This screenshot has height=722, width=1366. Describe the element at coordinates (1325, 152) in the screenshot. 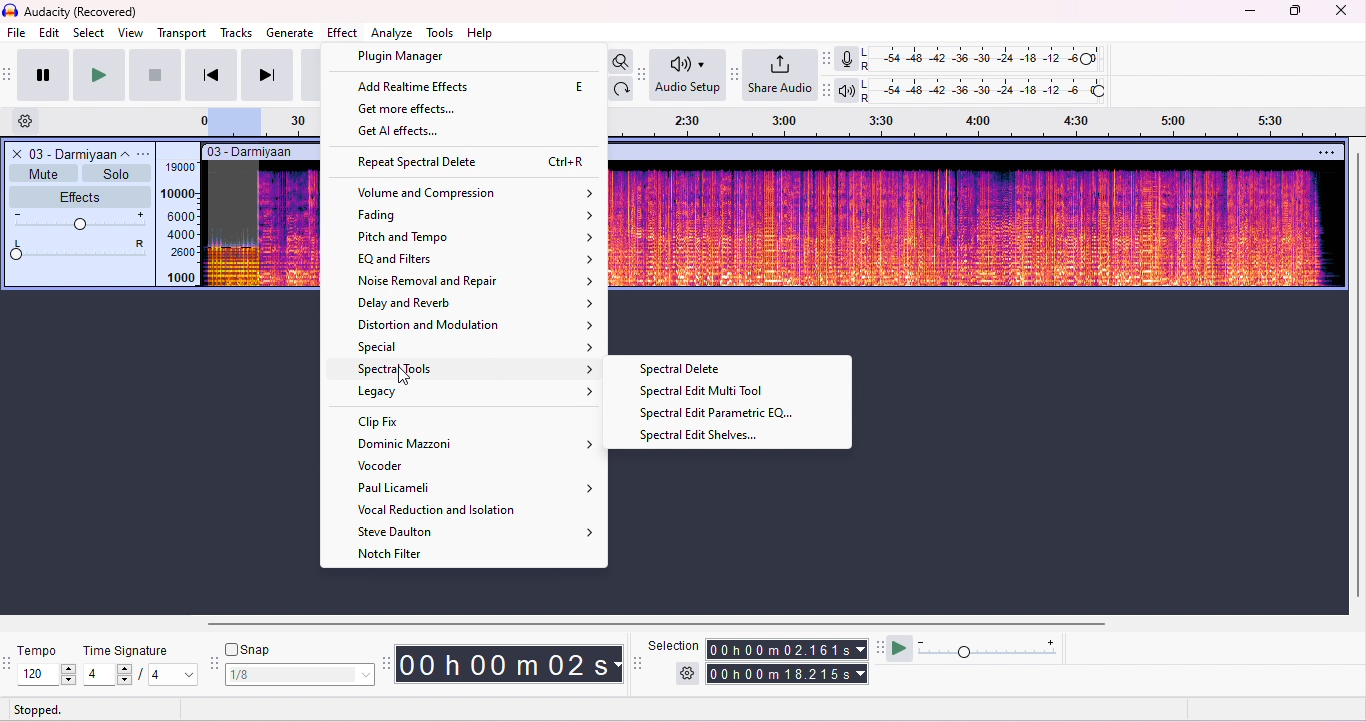

I see `options` at that location.